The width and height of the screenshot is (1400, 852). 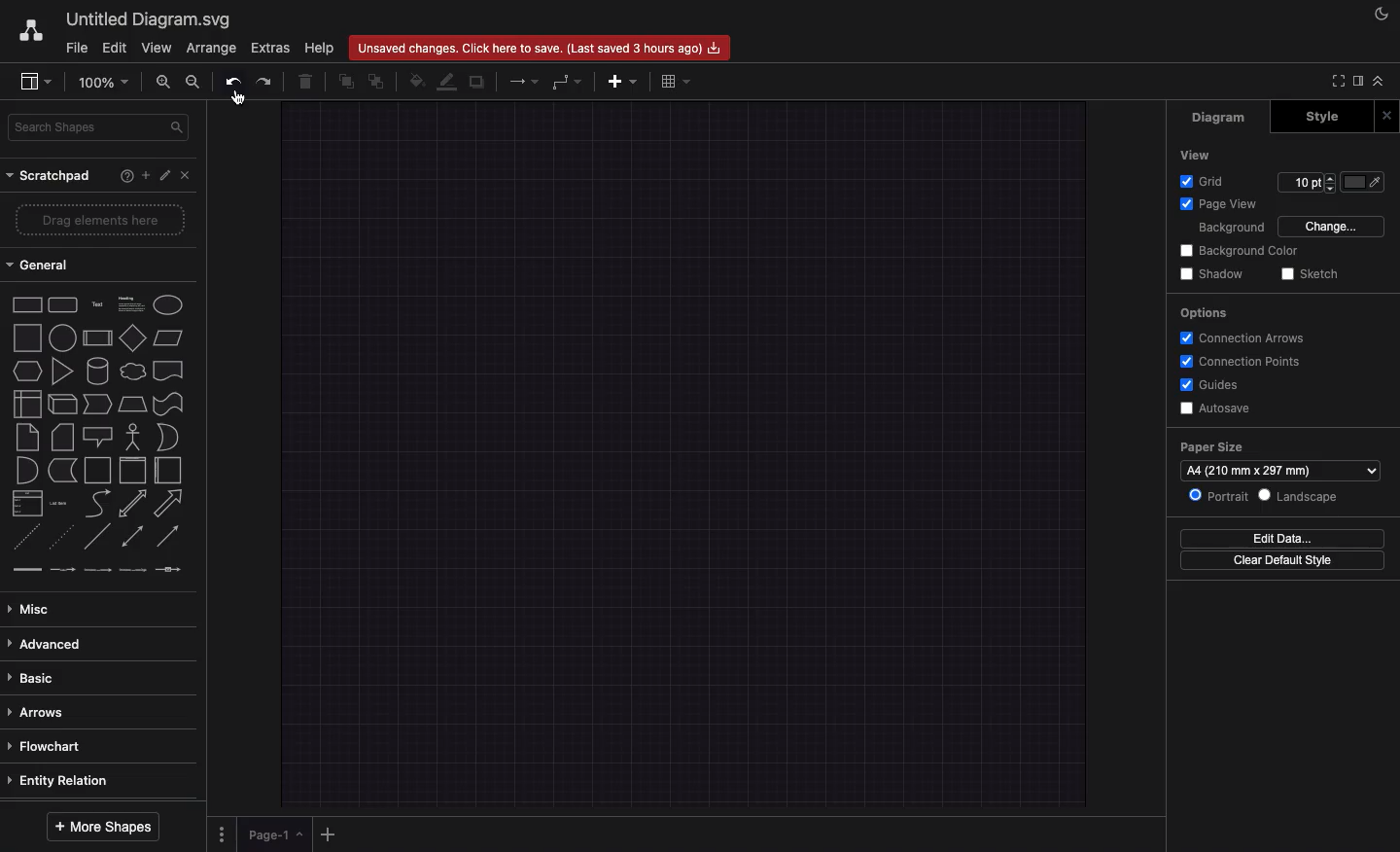 What do you see at coordinates (164, 82) in the screenshot?
I see `Zoom in` at bounding box center [164, 82].